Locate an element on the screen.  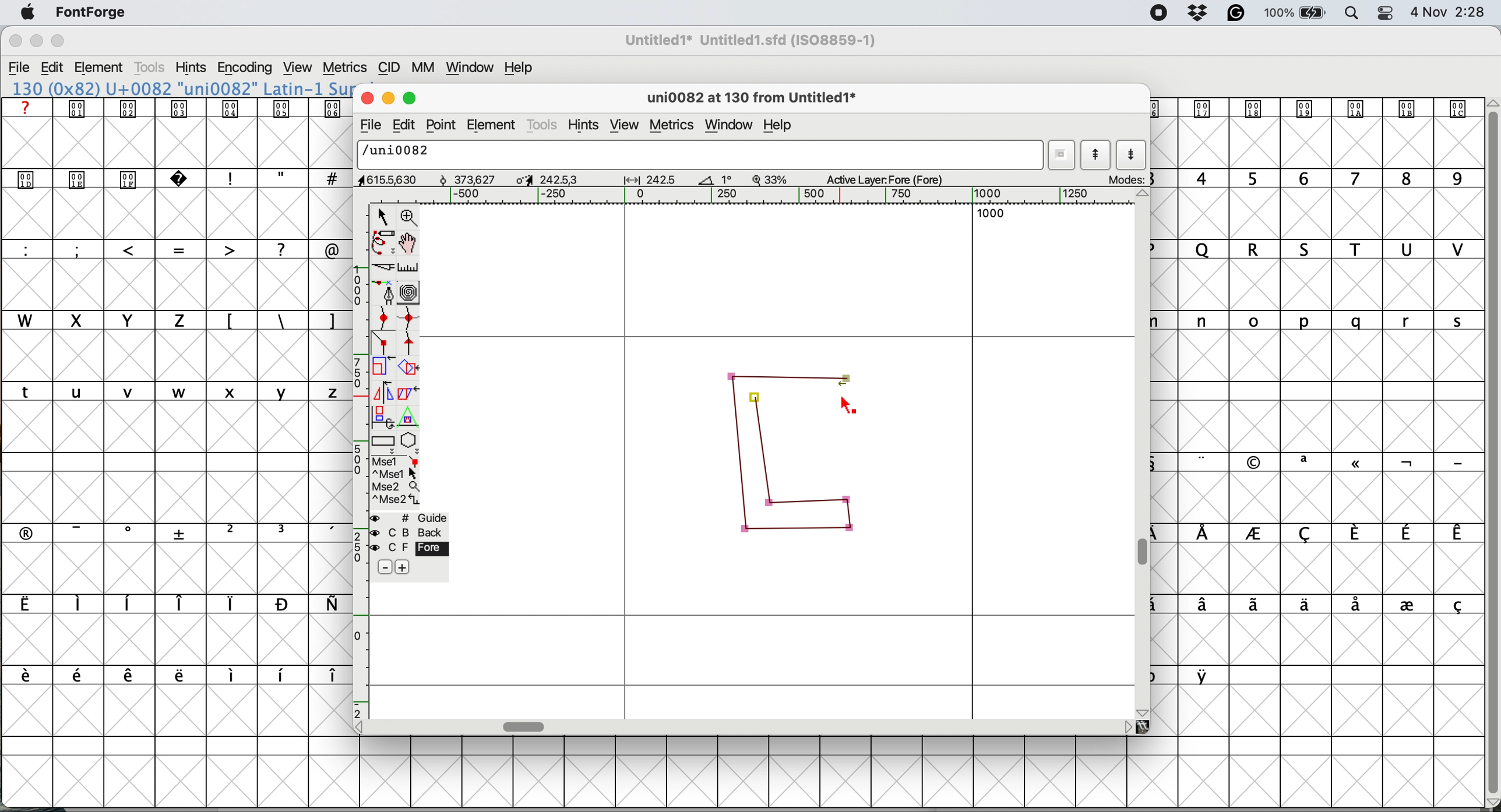
corner points connected is located at coordinates (791, 531).